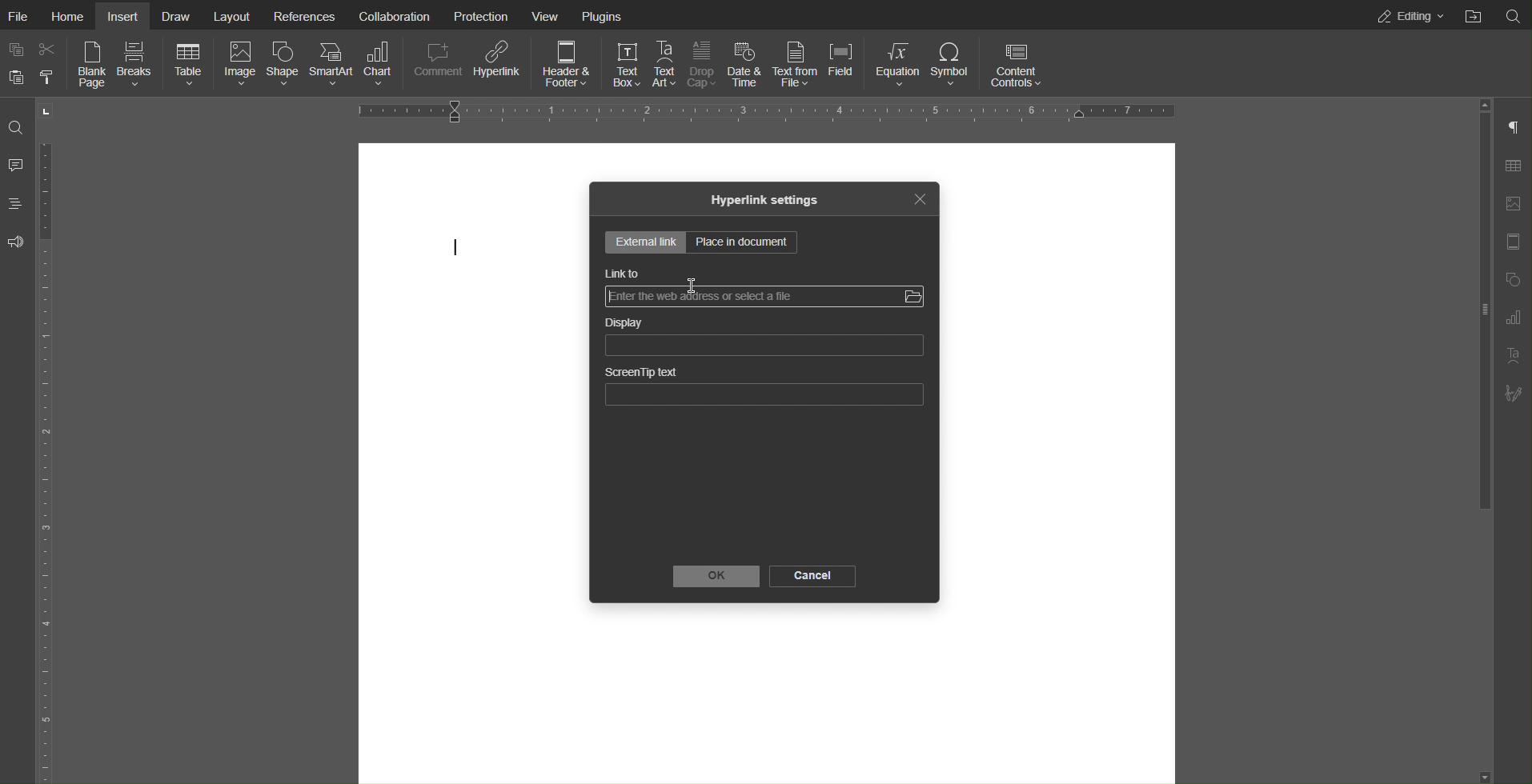 This screenshot has width=1532, height=784. I want to click on Paragraph Settings, so click(1511, 318).